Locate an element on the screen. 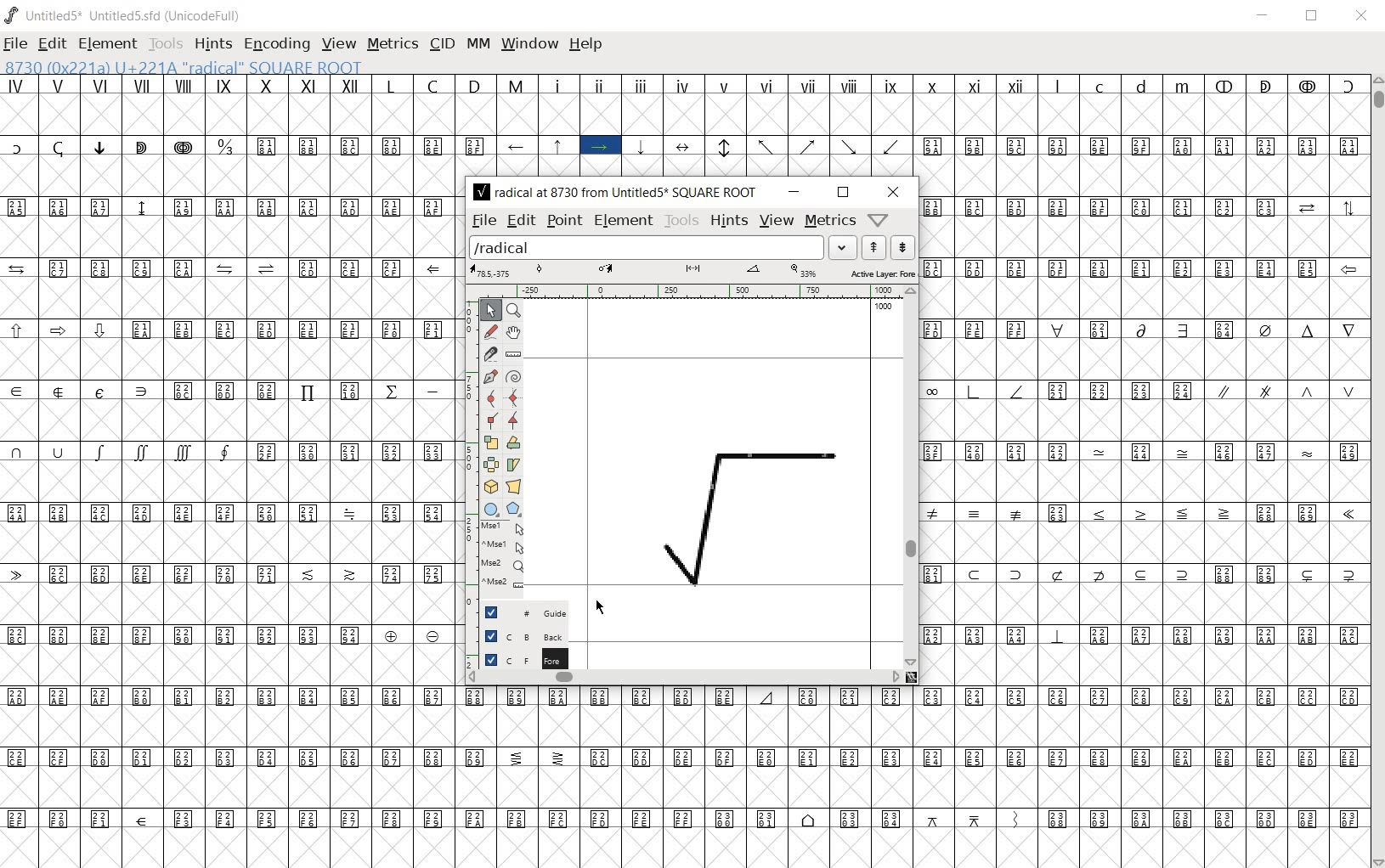 This screenshot has width=1385, height=868. Glyph characters is located at coordinates (913, 125).